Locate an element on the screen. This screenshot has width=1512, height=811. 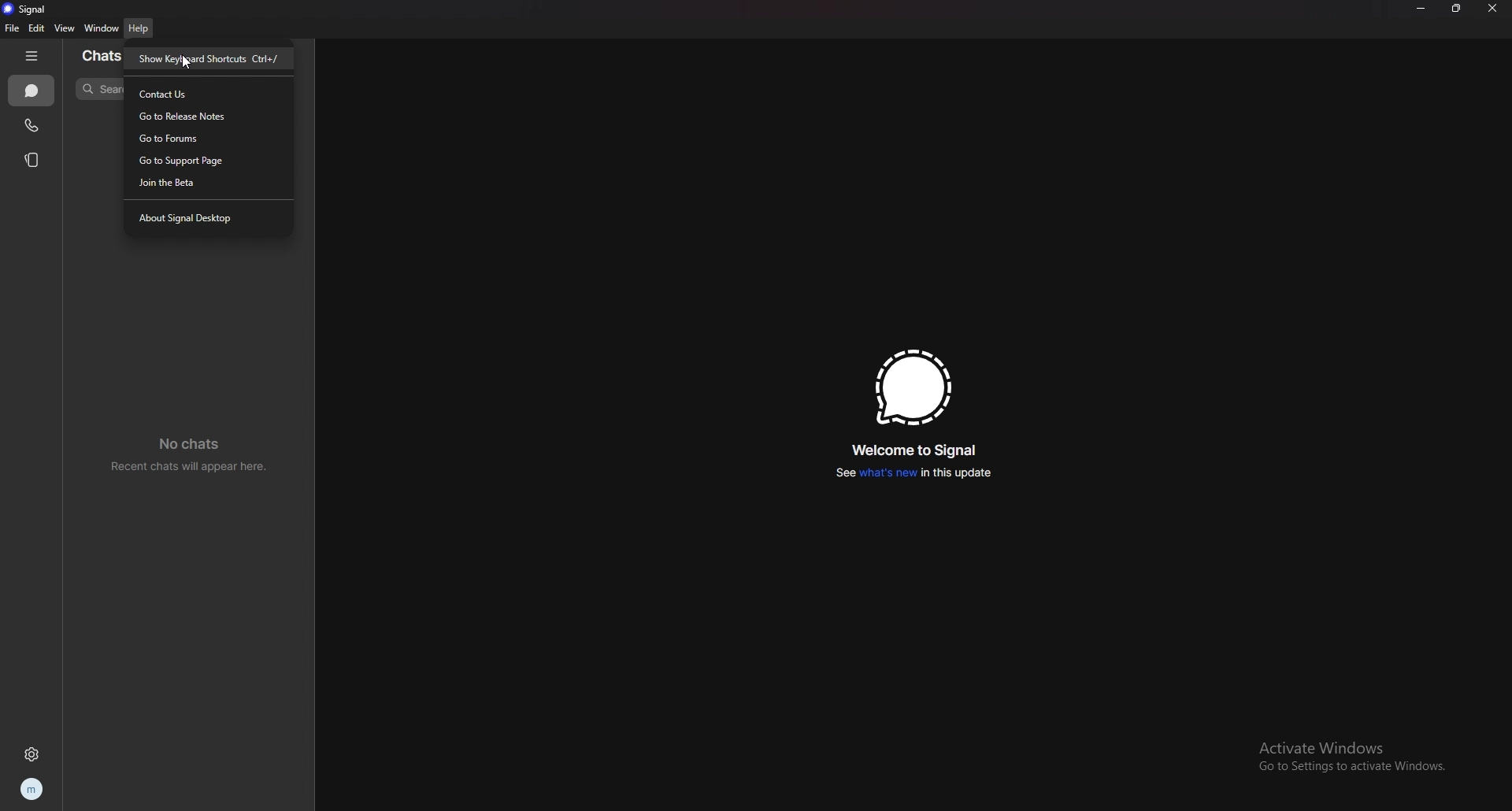
help is located at coordinates (139, 28).